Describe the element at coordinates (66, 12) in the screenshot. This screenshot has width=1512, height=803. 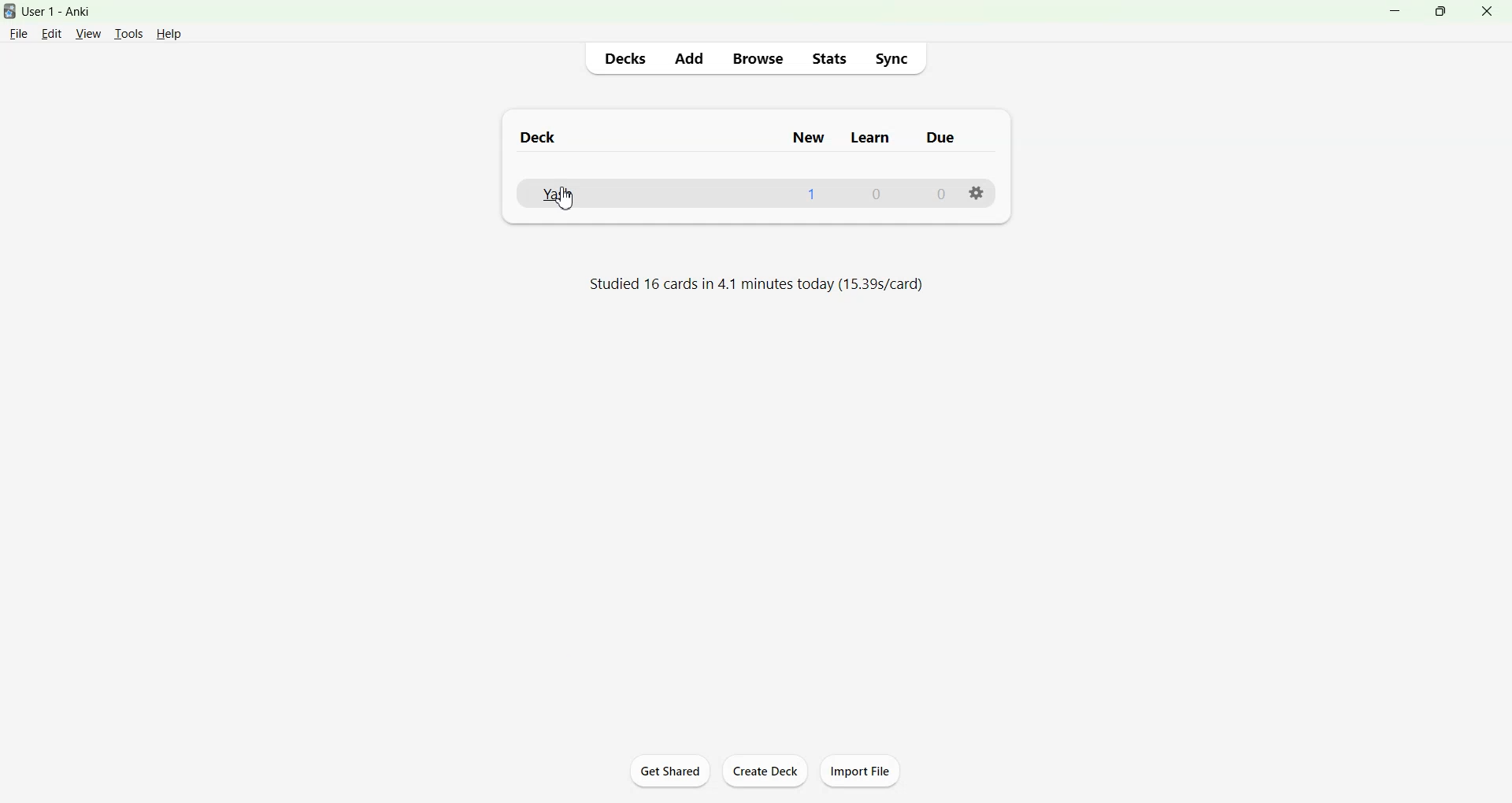
I see `User 1 - Anki` at that location.